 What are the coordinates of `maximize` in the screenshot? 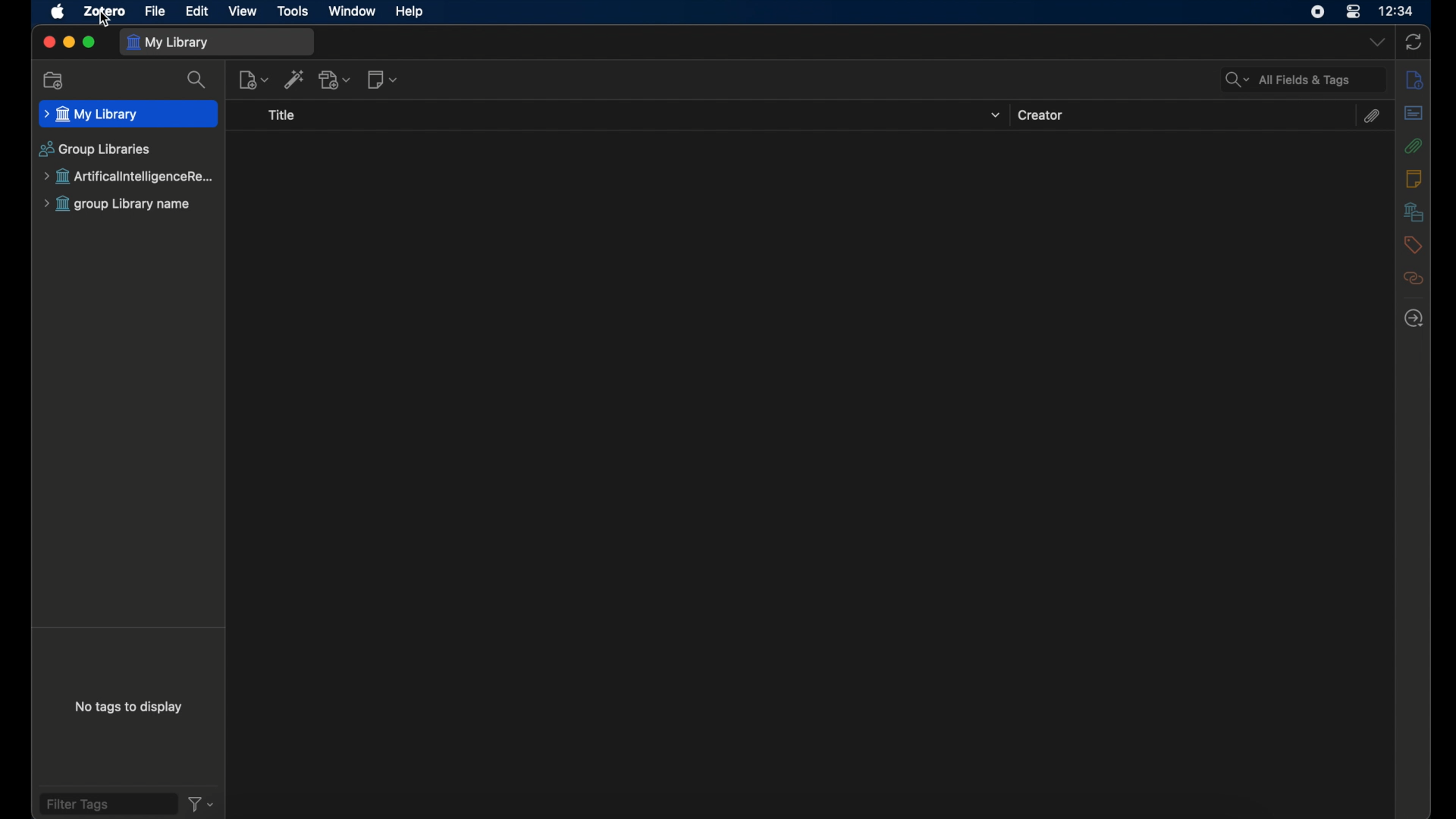 It's located at (90, 42).